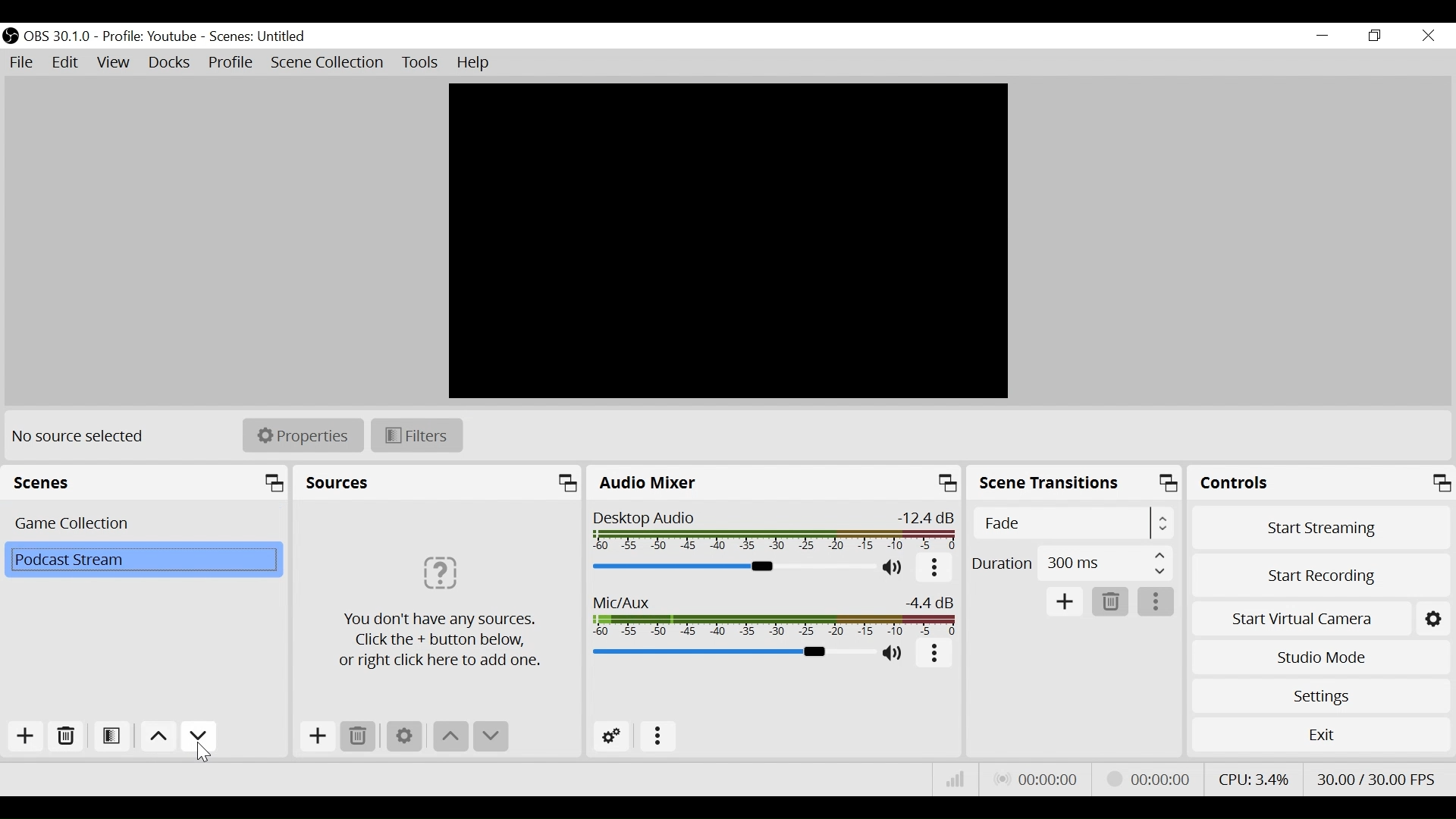 Image resolution: width=1456 pixels, height=819 pixels. What do you see at coordinates (1322, 36) in the screenshot?
I see `minimize` at bounding box center [1322, 36].